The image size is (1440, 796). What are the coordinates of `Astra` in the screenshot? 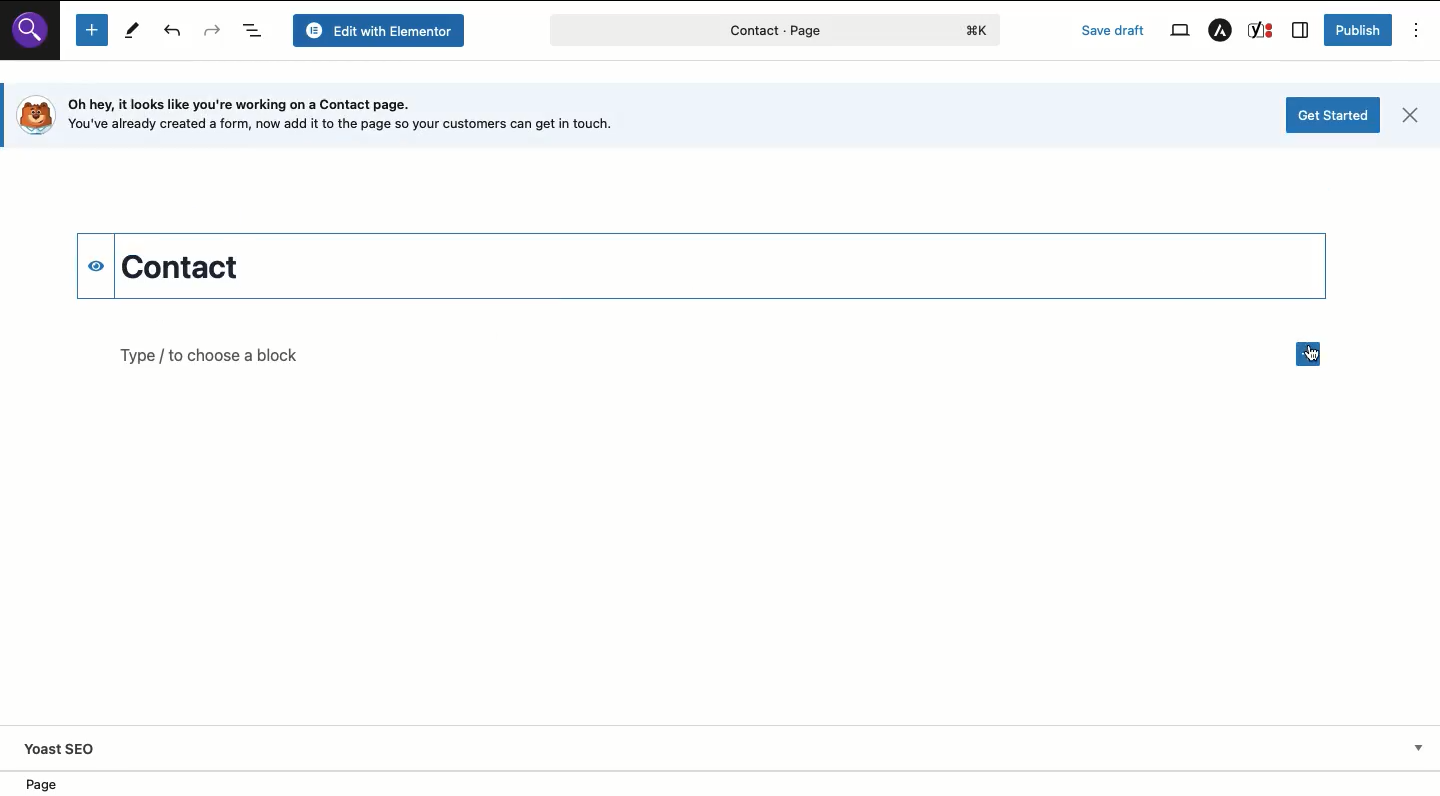 It's located at (1219, 31).